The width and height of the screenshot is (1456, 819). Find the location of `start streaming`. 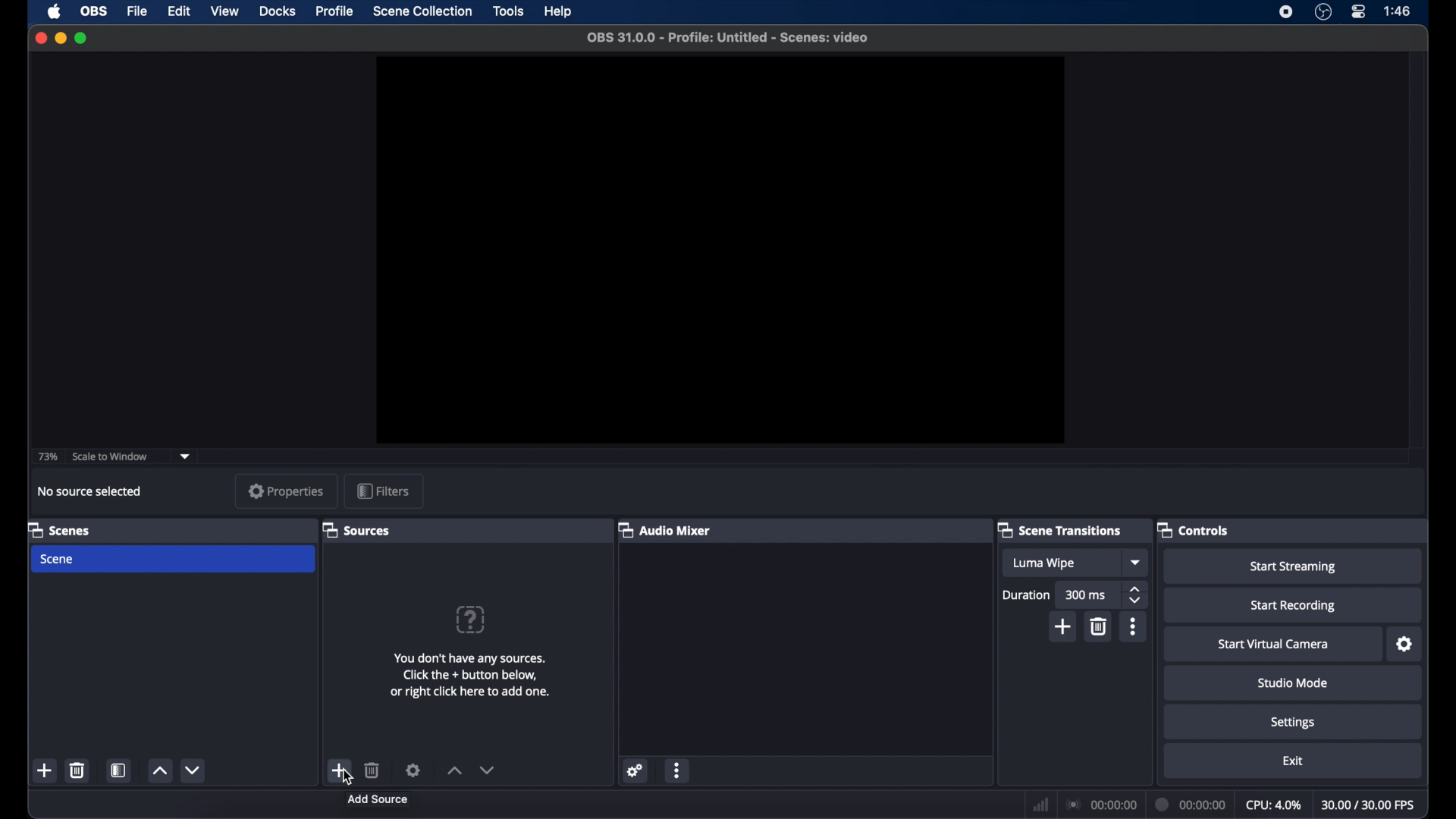

start streaming is located at coordinates (1293, 567).